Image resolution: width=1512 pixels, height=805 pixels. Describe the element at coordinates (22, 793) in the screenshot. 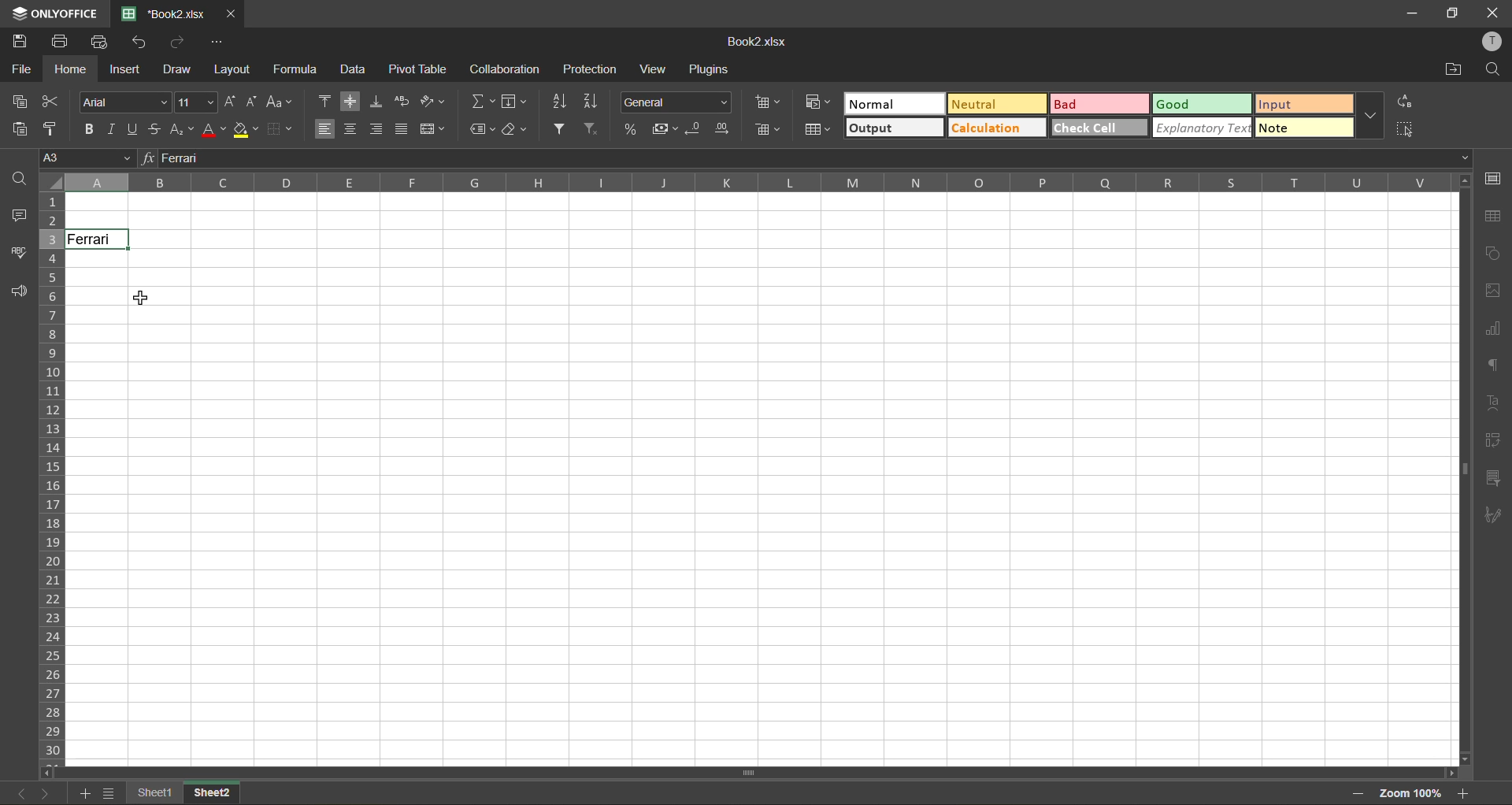

I see `previous` at that location.